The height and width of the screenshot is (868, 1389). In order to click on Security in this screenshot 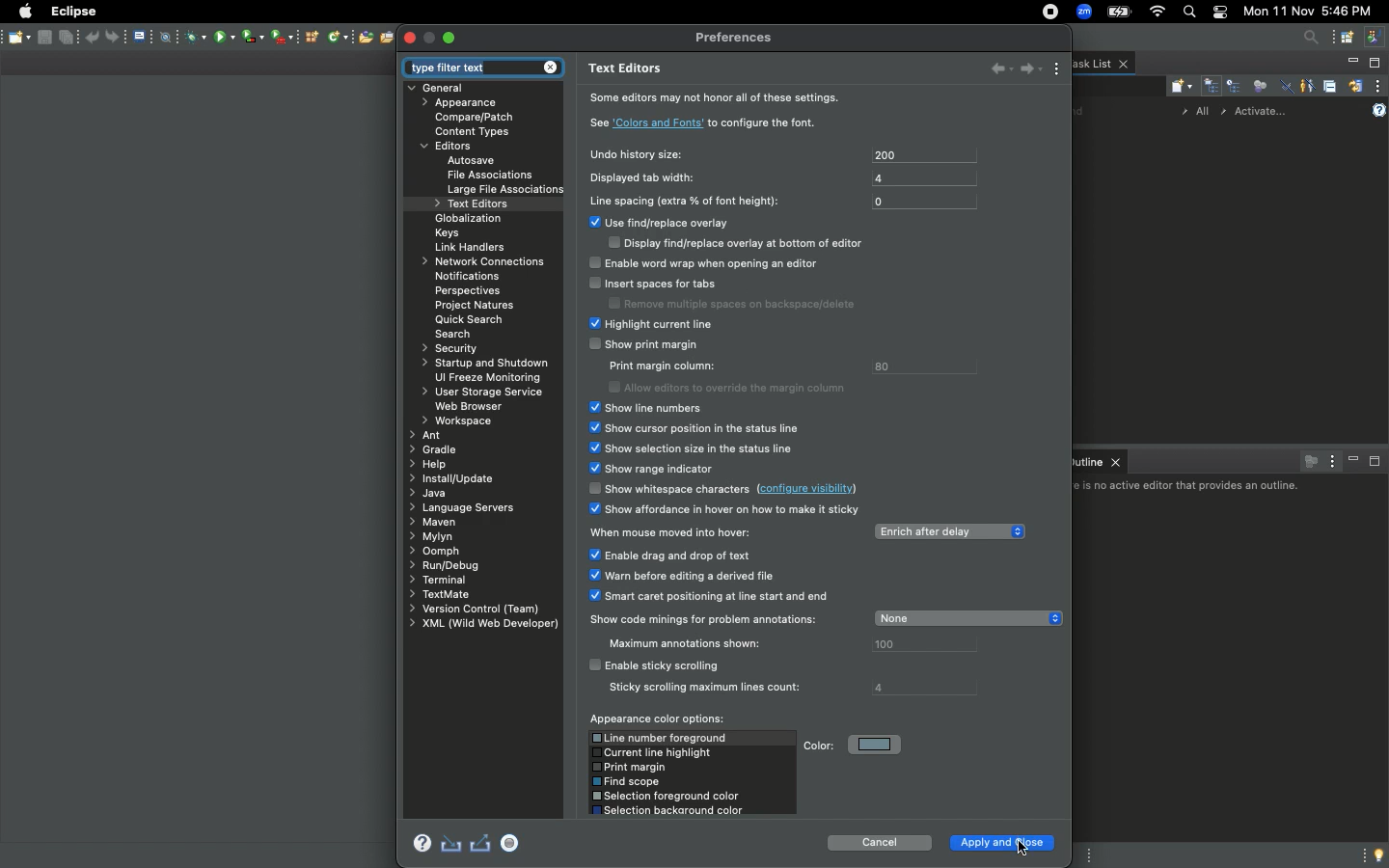, I will do `click(451, 348)`.